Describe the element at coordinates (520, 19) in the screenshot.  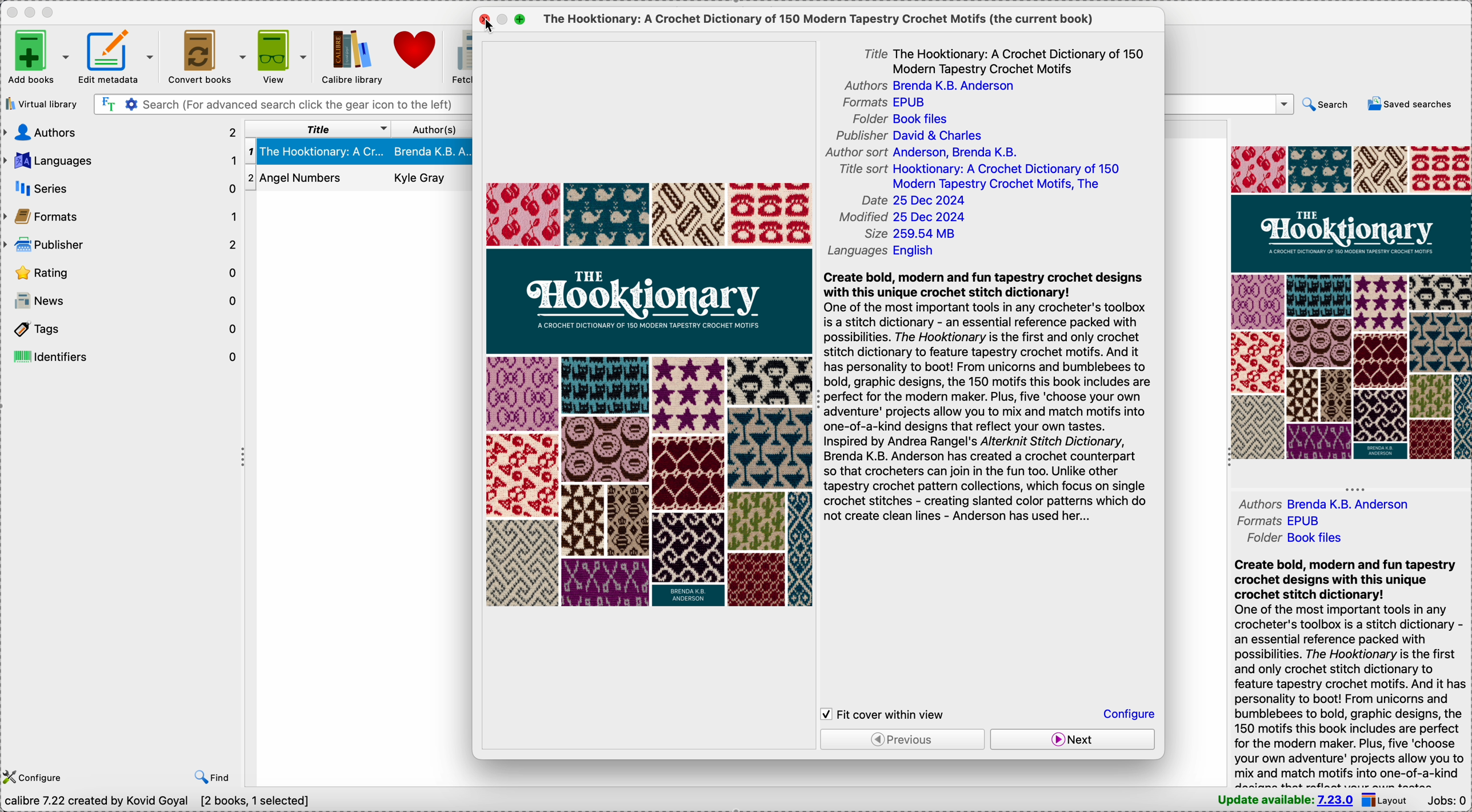
I see `maximize` at that location.